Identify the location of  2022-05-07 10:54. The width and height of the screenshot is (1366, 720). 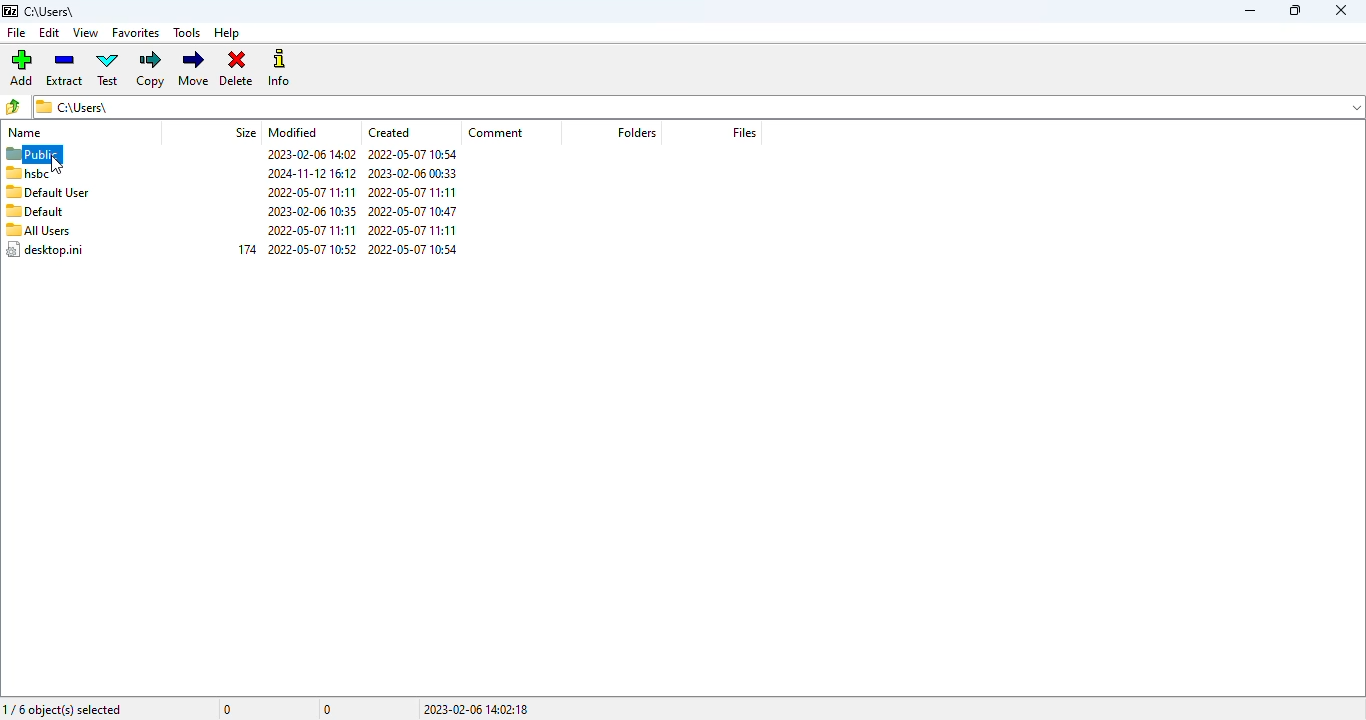
(418, 250).